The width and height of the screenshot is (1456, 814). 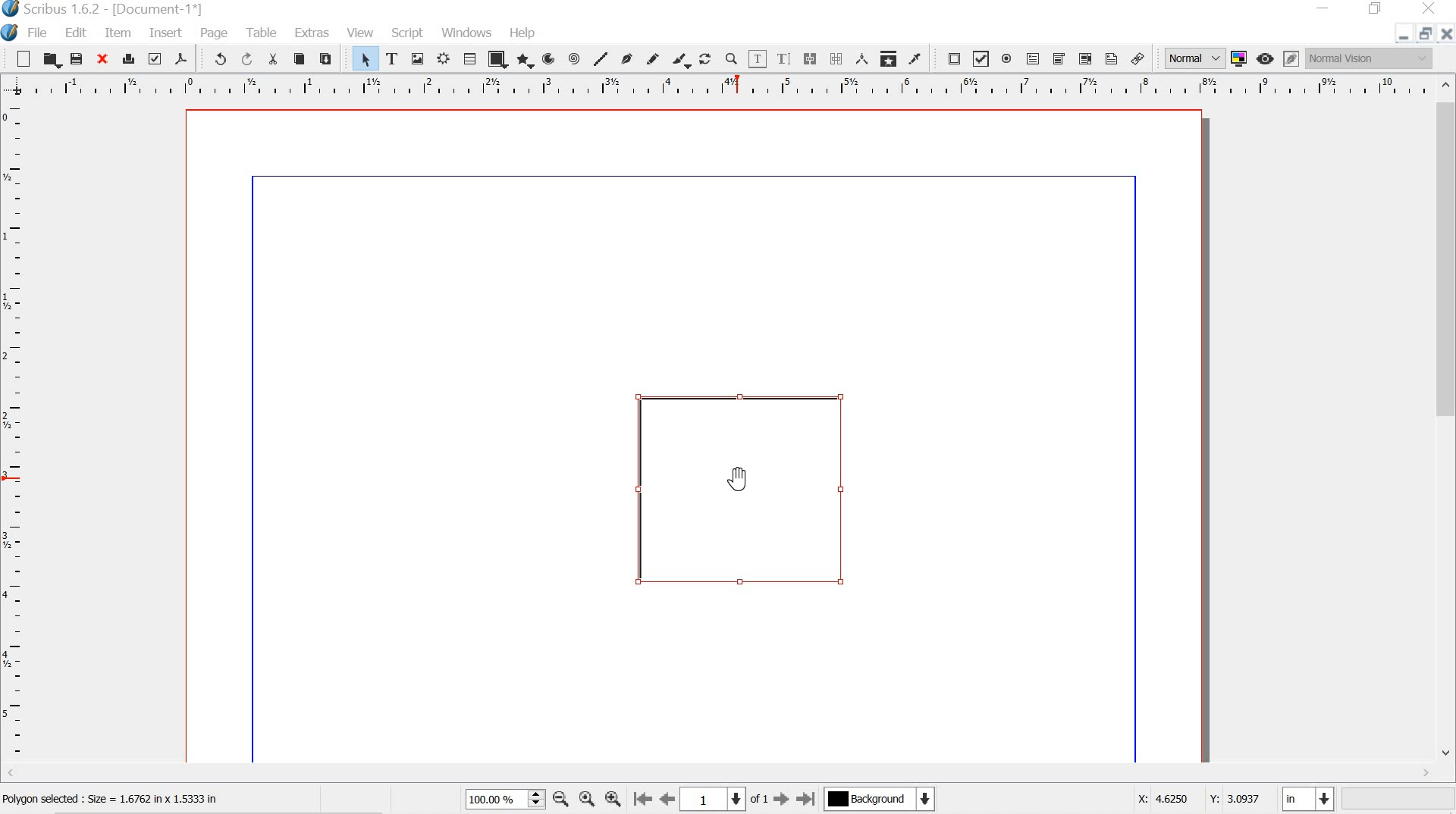 What do you see at coordinates (626, 58) in the screenshot?
I see `bezier curve` at bounding box center [626, 58].